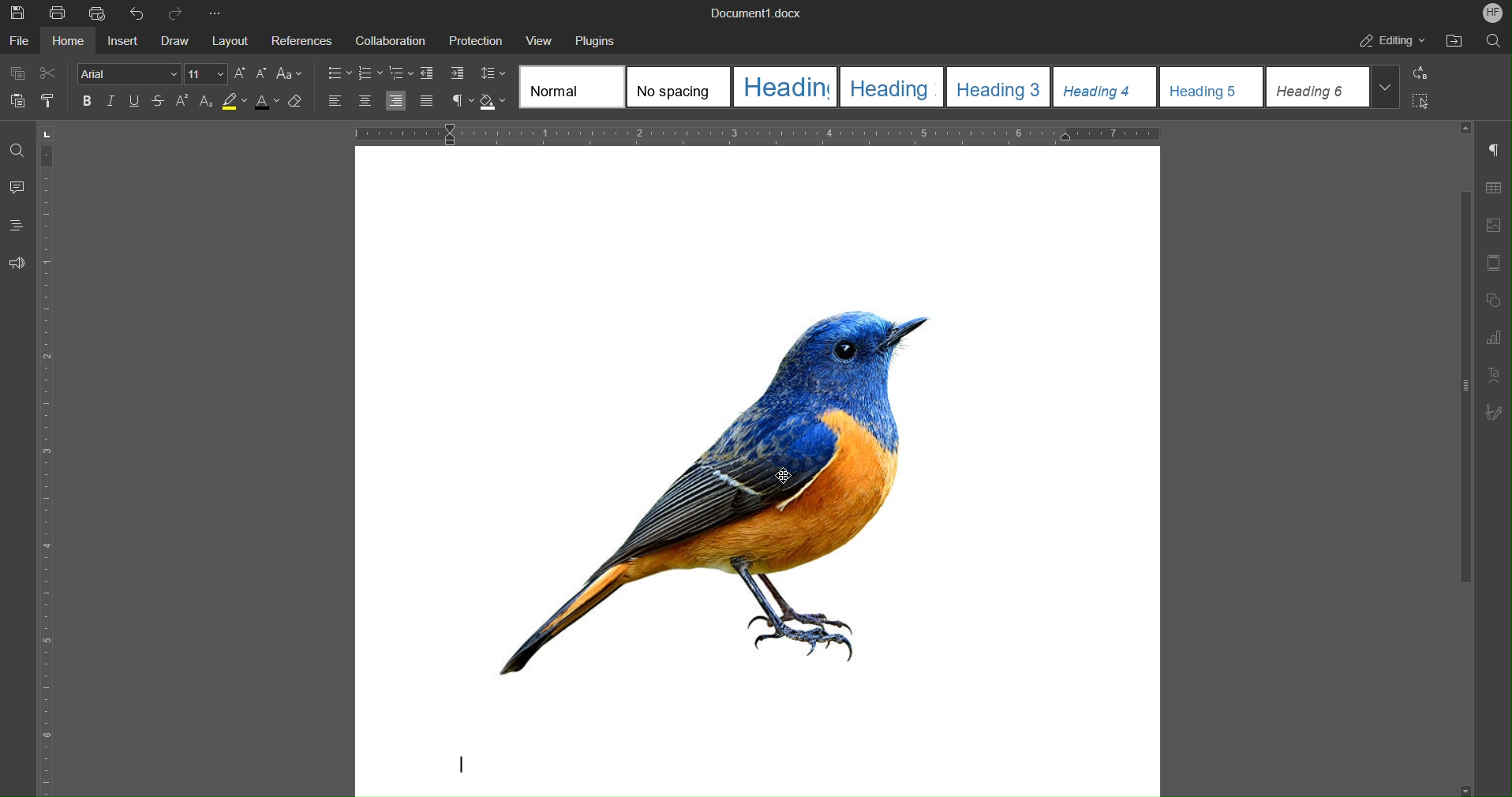 This screenshot has height=797, width=1512. I want to click on Layout, so click(227, 39).